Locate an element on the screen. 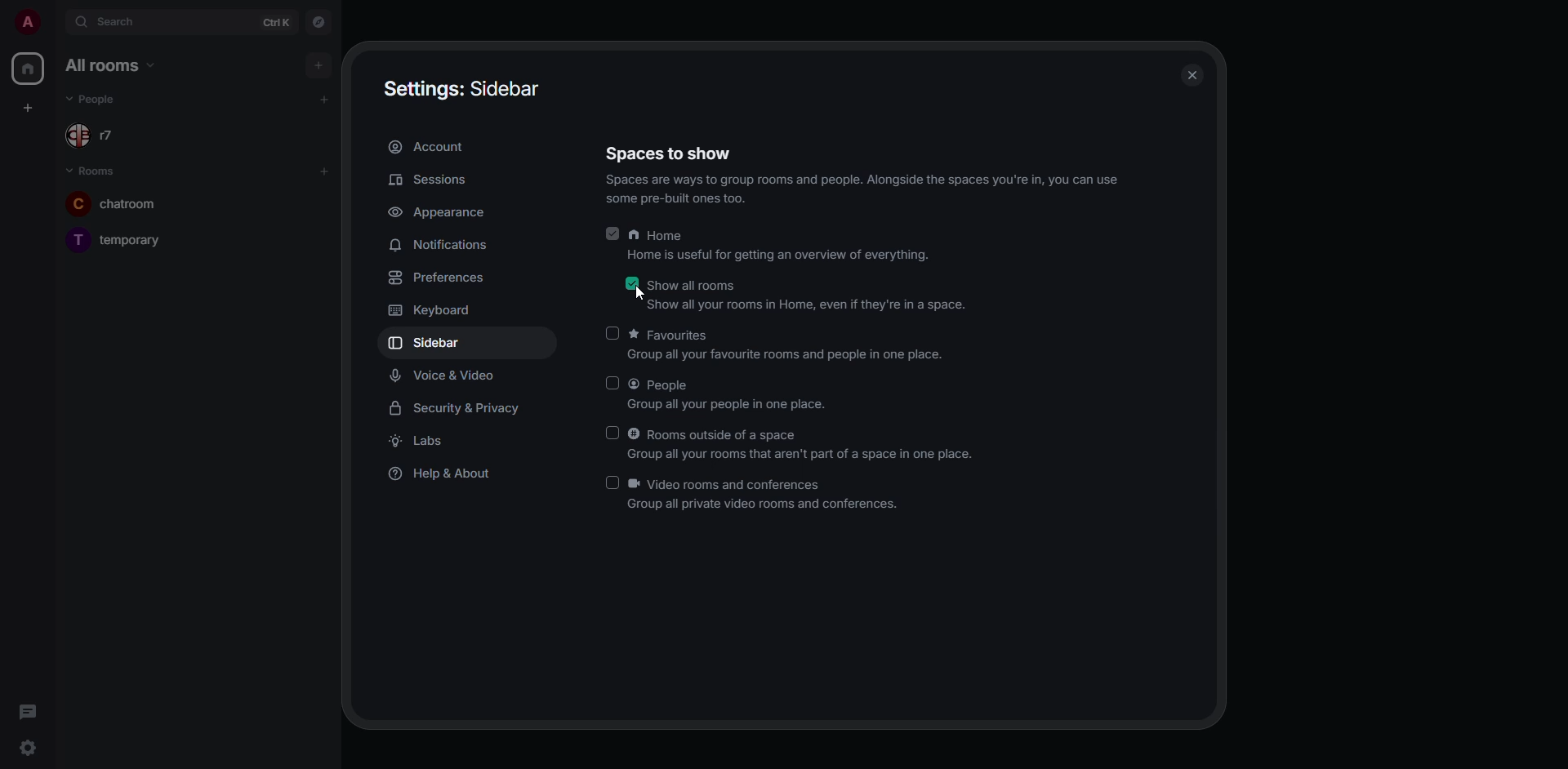 This screenshot has width=1568, height=769. all rooms is located at coordinates (109, 65).